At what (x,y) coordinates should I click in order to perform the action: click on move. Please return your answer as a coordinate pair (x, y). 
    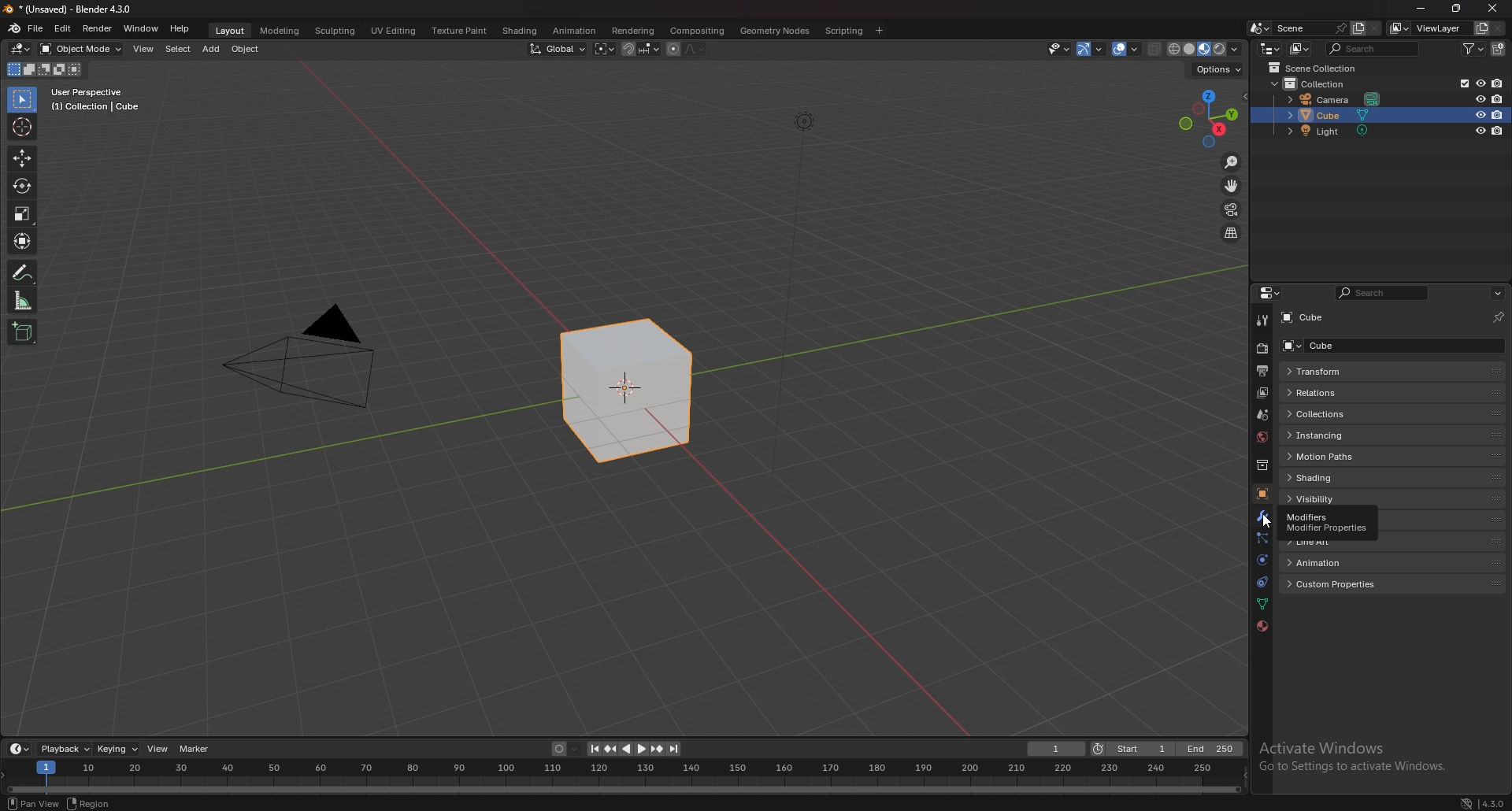
    Looking at the image, I should click on (1232, 186).